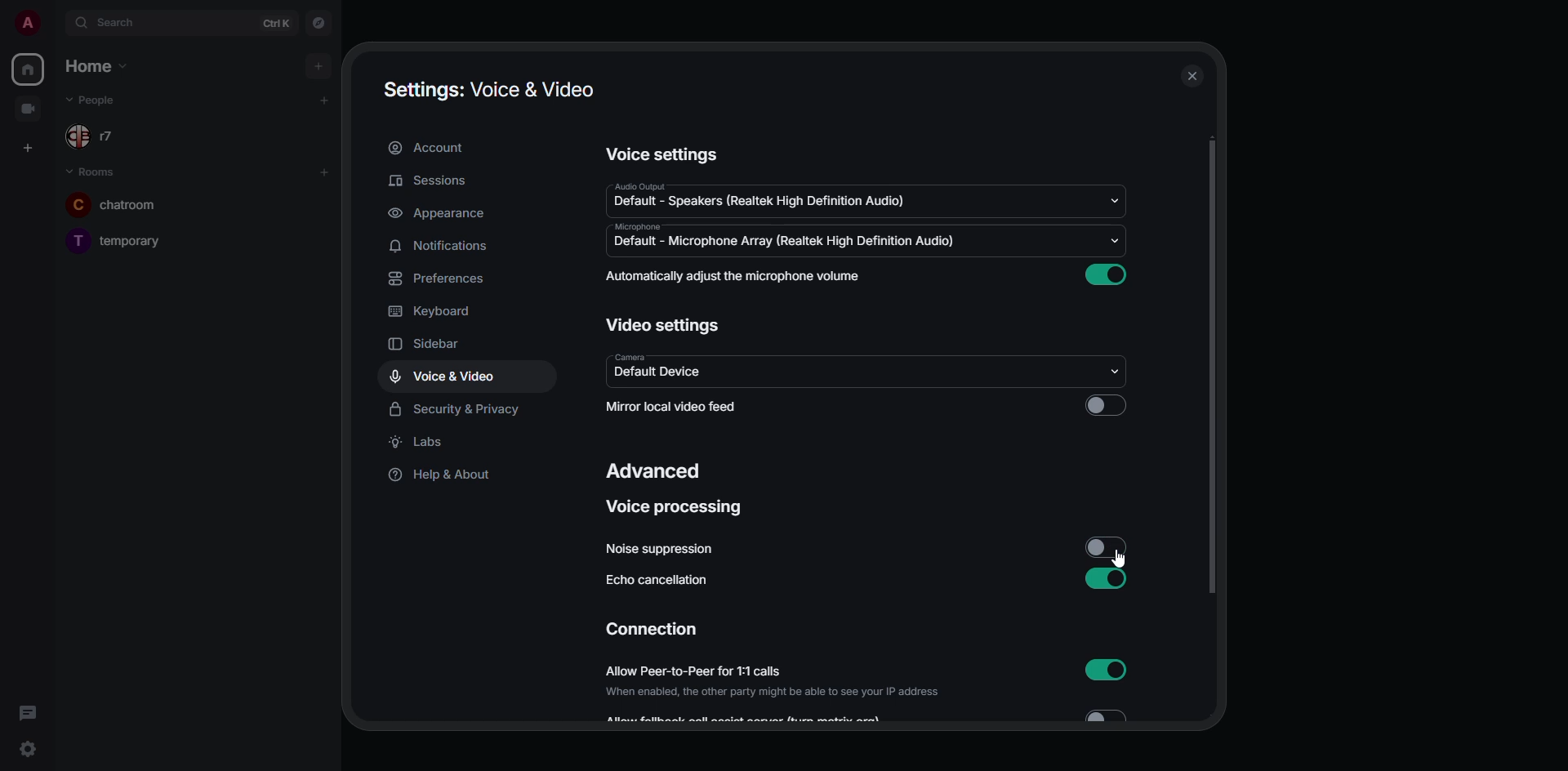 The height and width of the screenshot is (771, 1568). What do you see at coordinates (420, 442) in the screenshot?
I see `labs` at bounding box center [420, 442].